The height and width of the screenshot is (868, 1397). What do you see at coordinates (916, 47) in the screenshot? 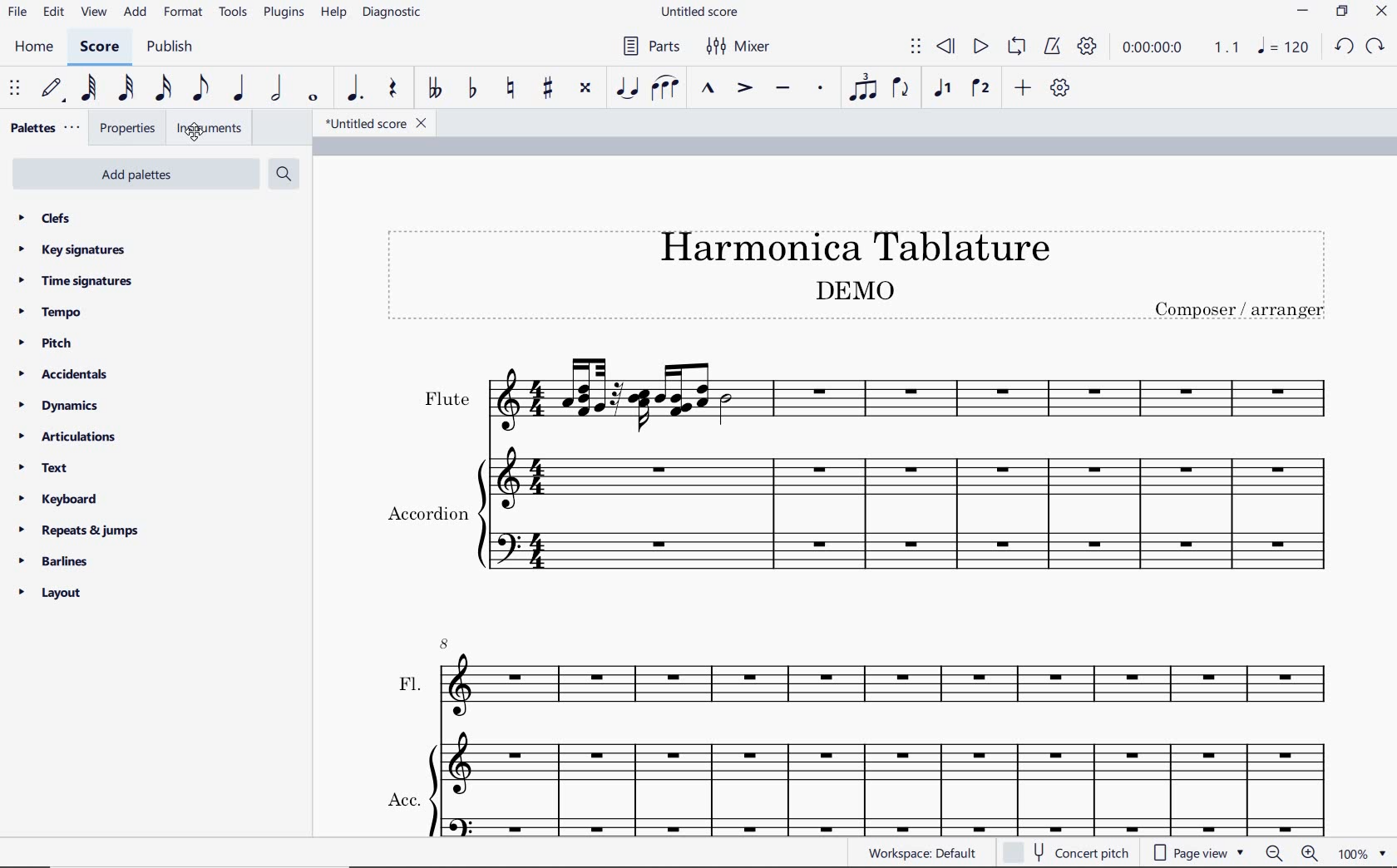
I see `select to move` at bounding box center [916, 47].